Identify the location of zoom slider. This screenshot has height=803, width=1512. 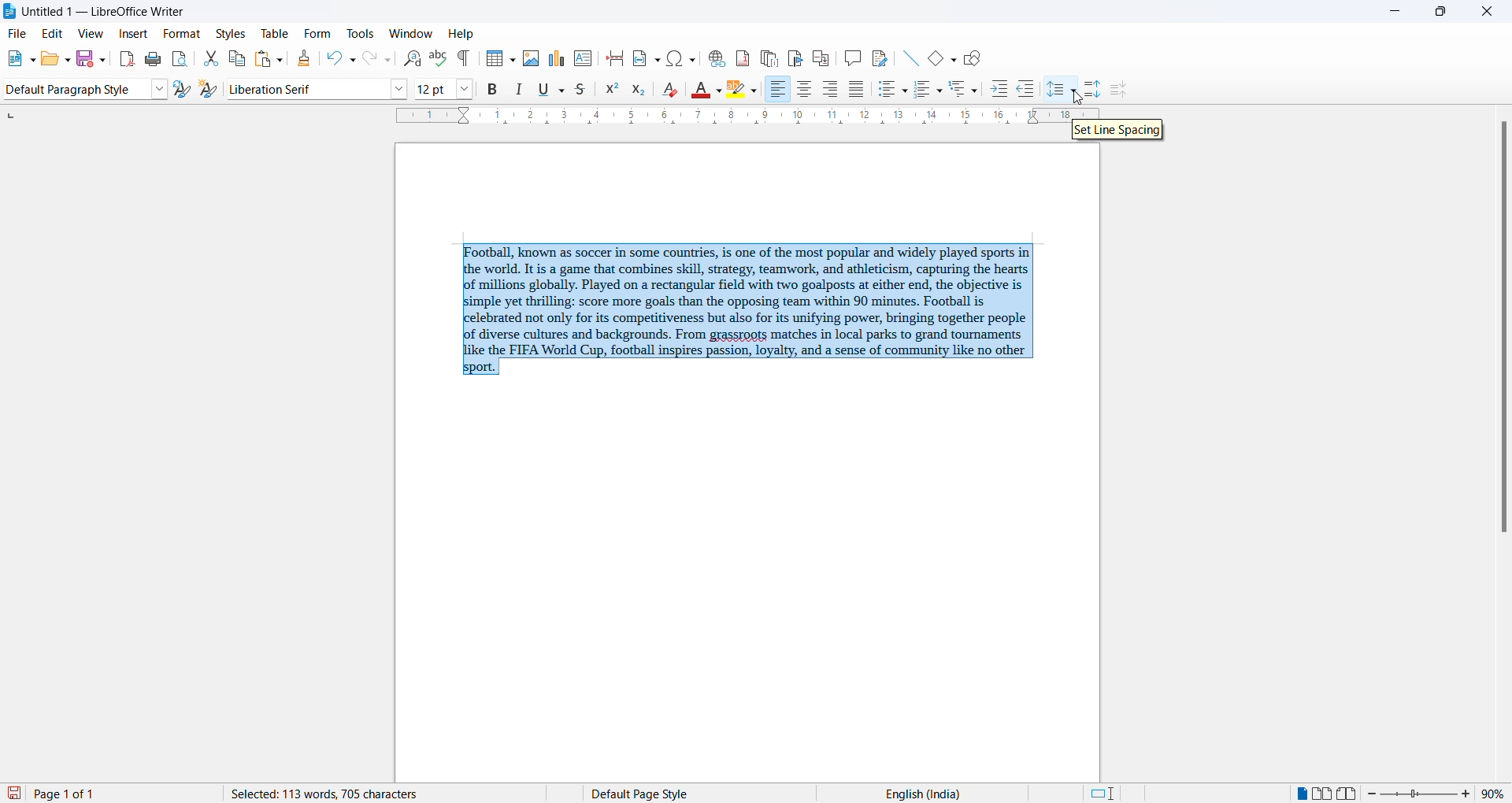
(1421, 794).